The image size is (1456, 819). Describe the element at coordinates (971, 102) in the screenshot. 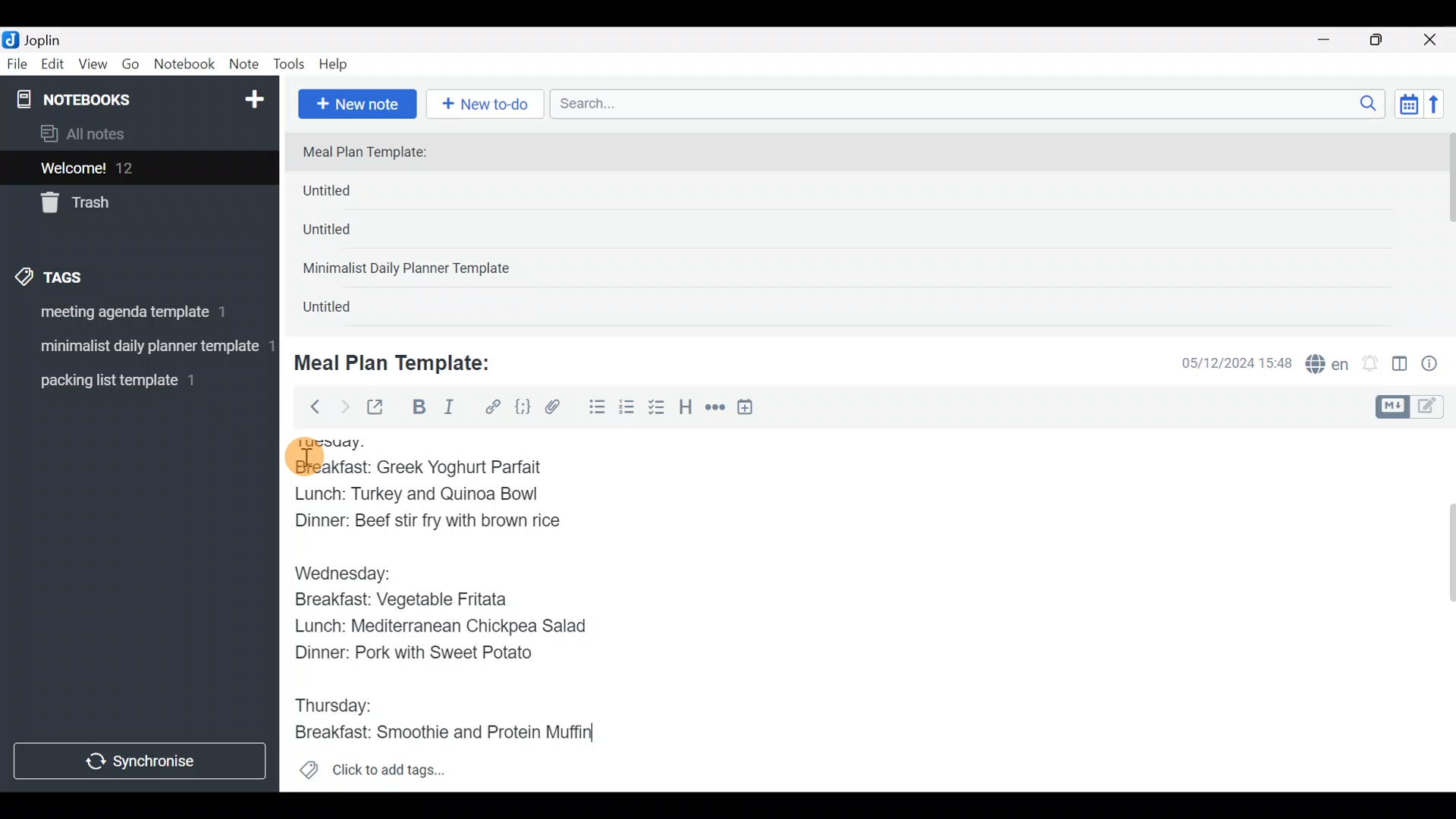

I see `Search bar` at that location.